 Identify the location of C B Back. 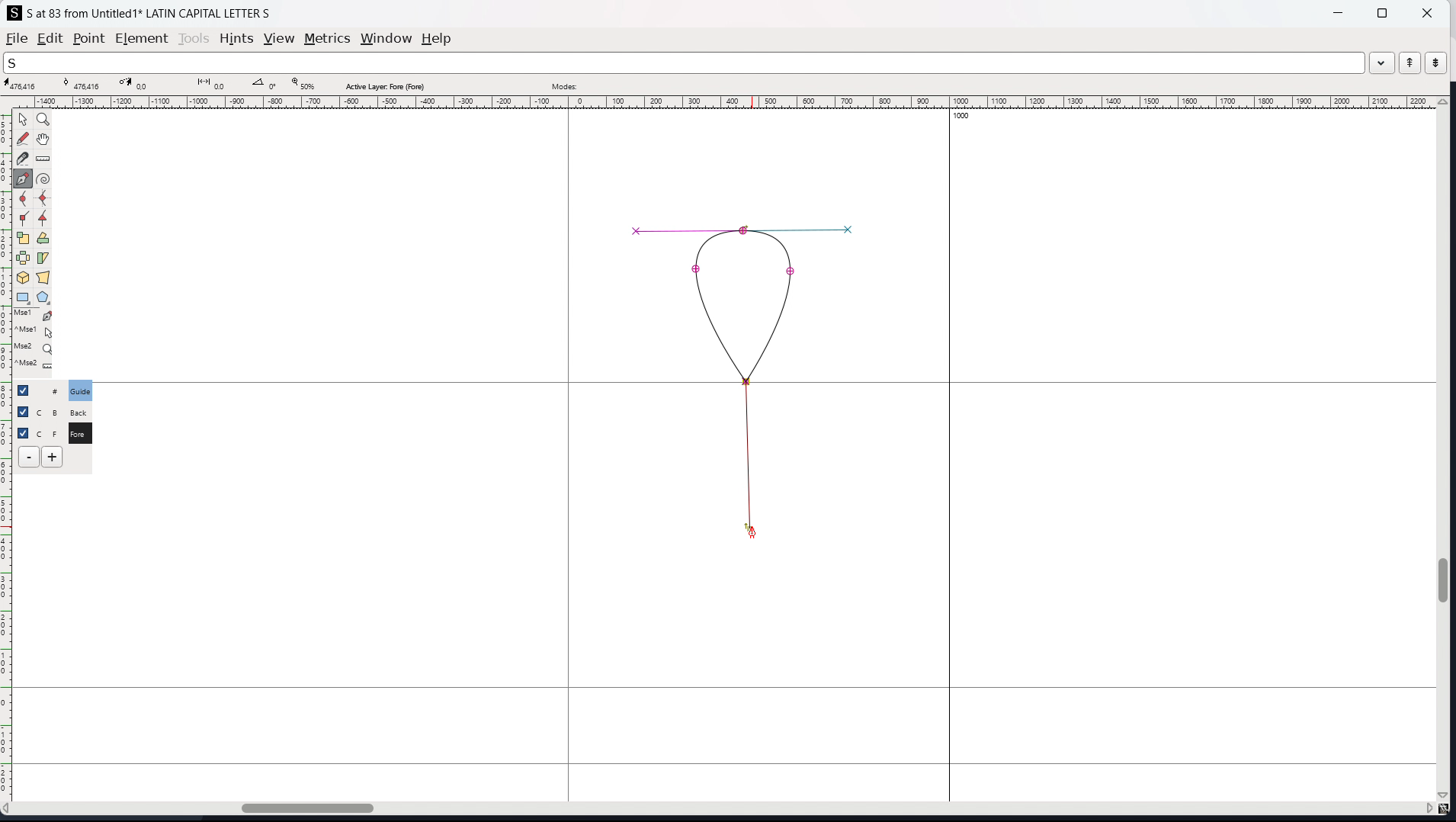
(78, 410).